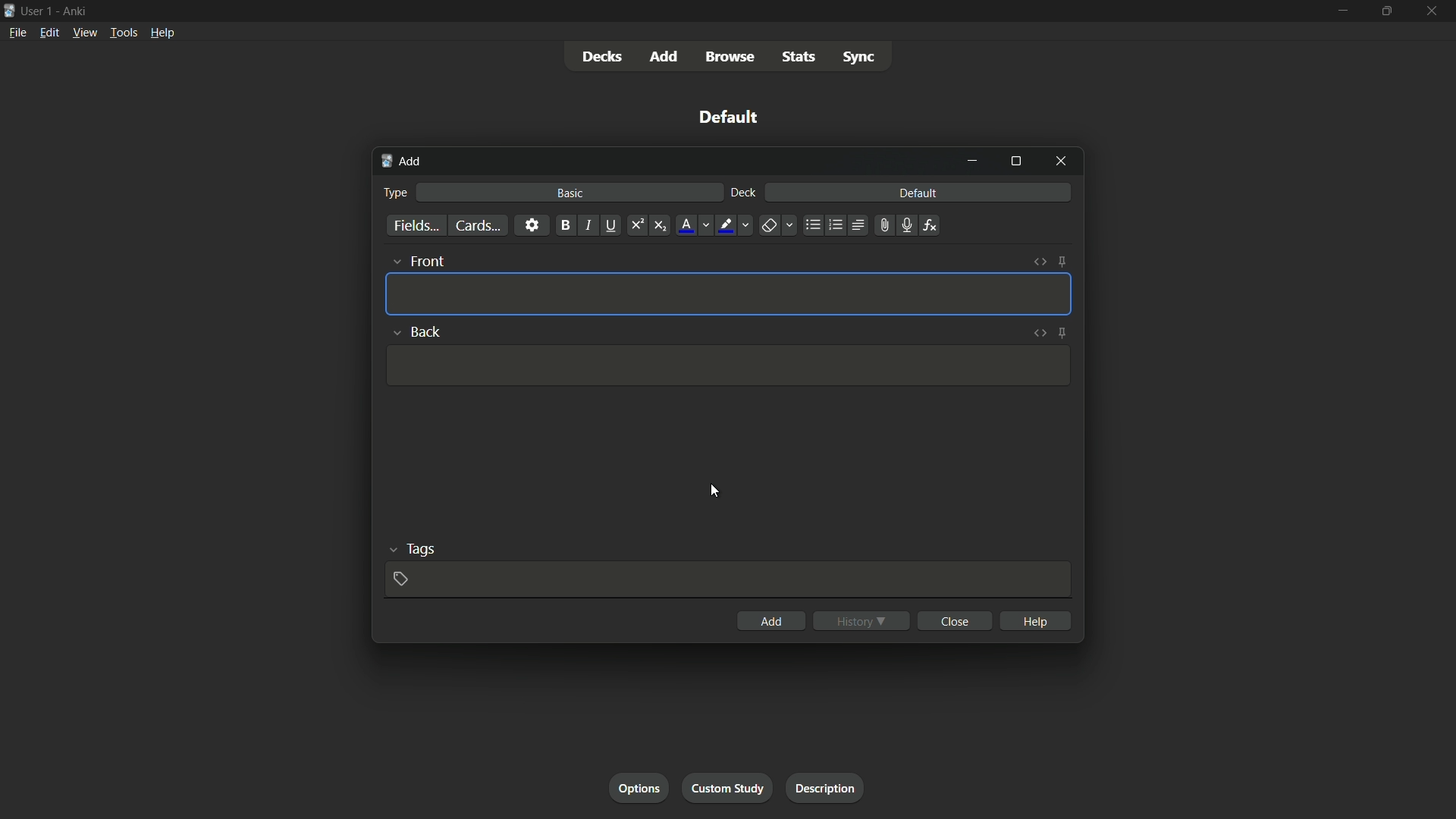 This screenshot has width=1456, height=819. Describe the element at coordinates (1062, 331) in the screenshot. I see `toggle sticky` at that location.